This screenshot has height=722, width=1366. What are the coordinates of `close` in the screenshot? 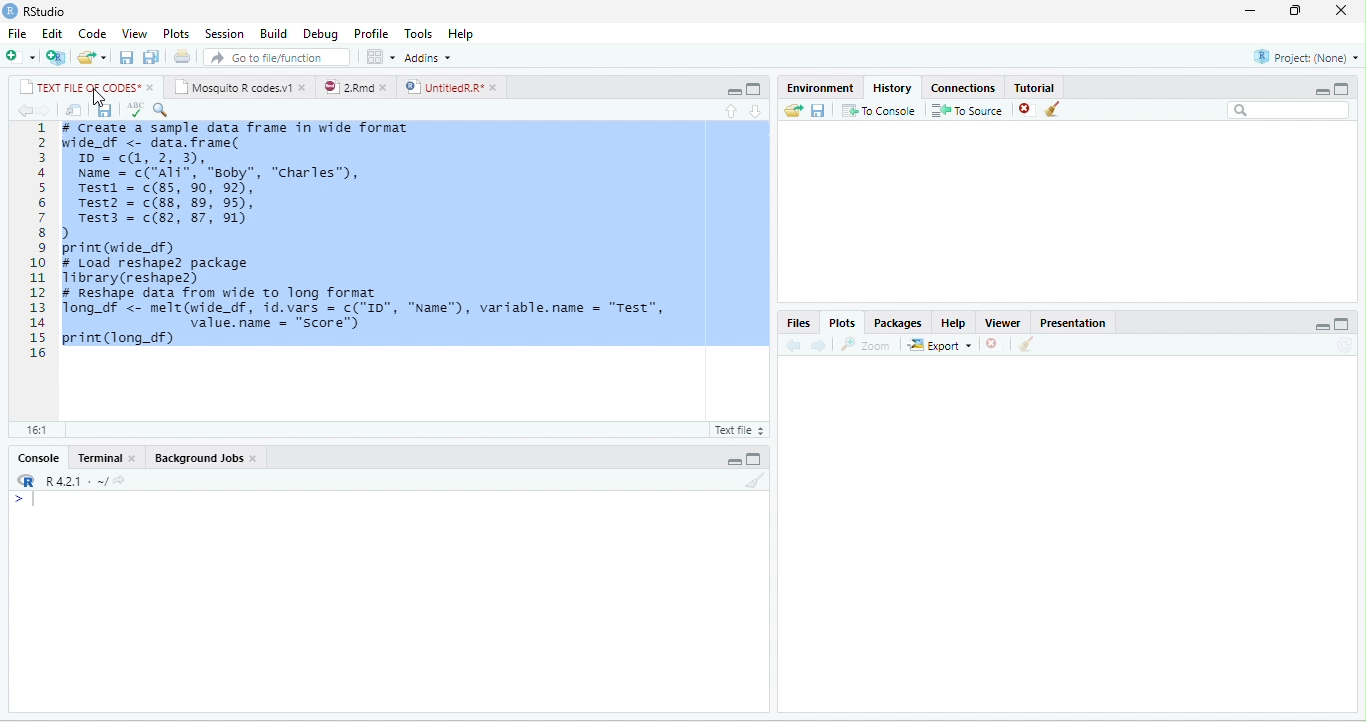 It's located at (134, 458).